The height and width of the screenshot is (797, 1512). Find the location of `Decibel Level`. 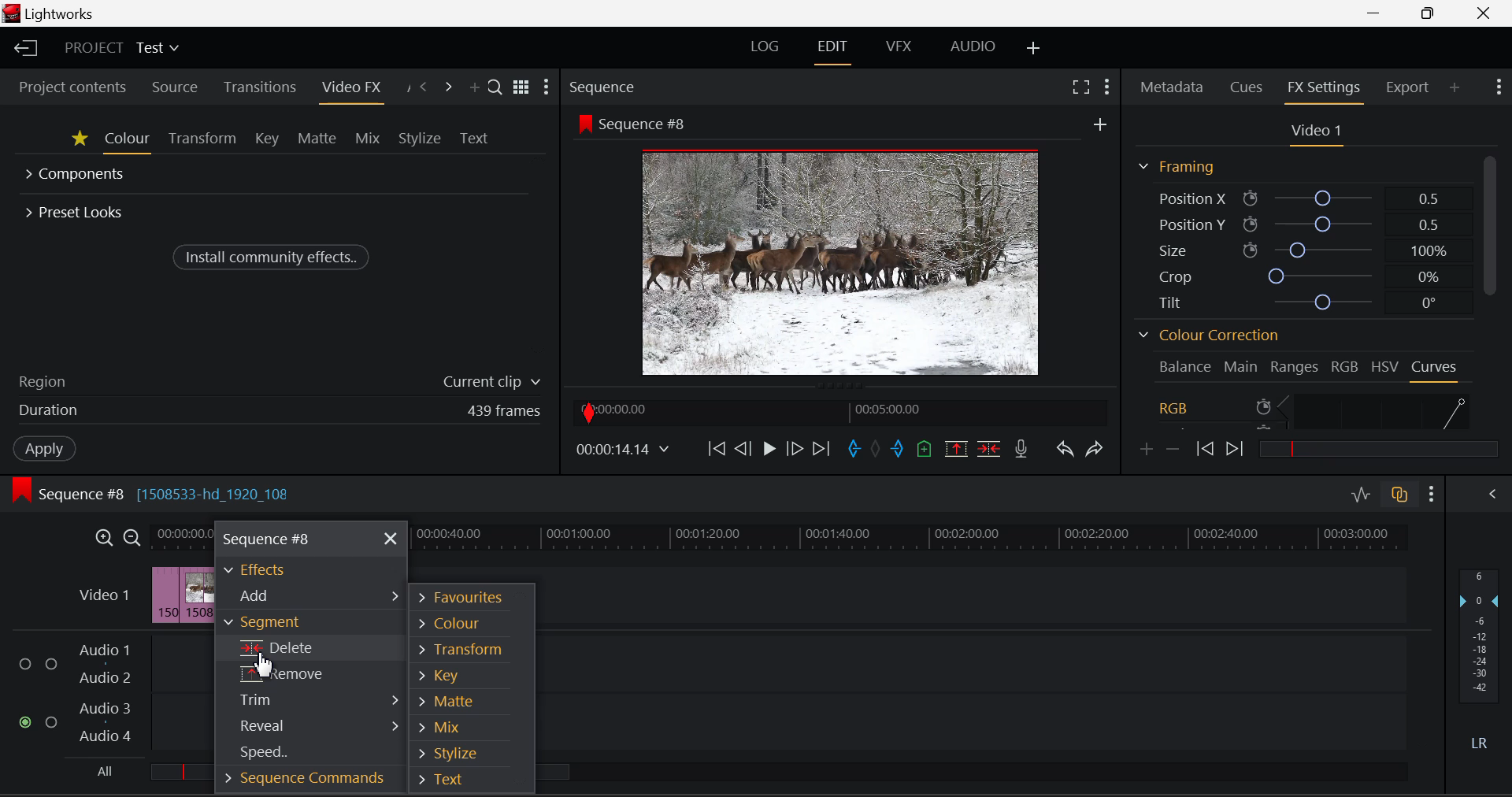

Decibel Level is located at coordinates (1478, 656).